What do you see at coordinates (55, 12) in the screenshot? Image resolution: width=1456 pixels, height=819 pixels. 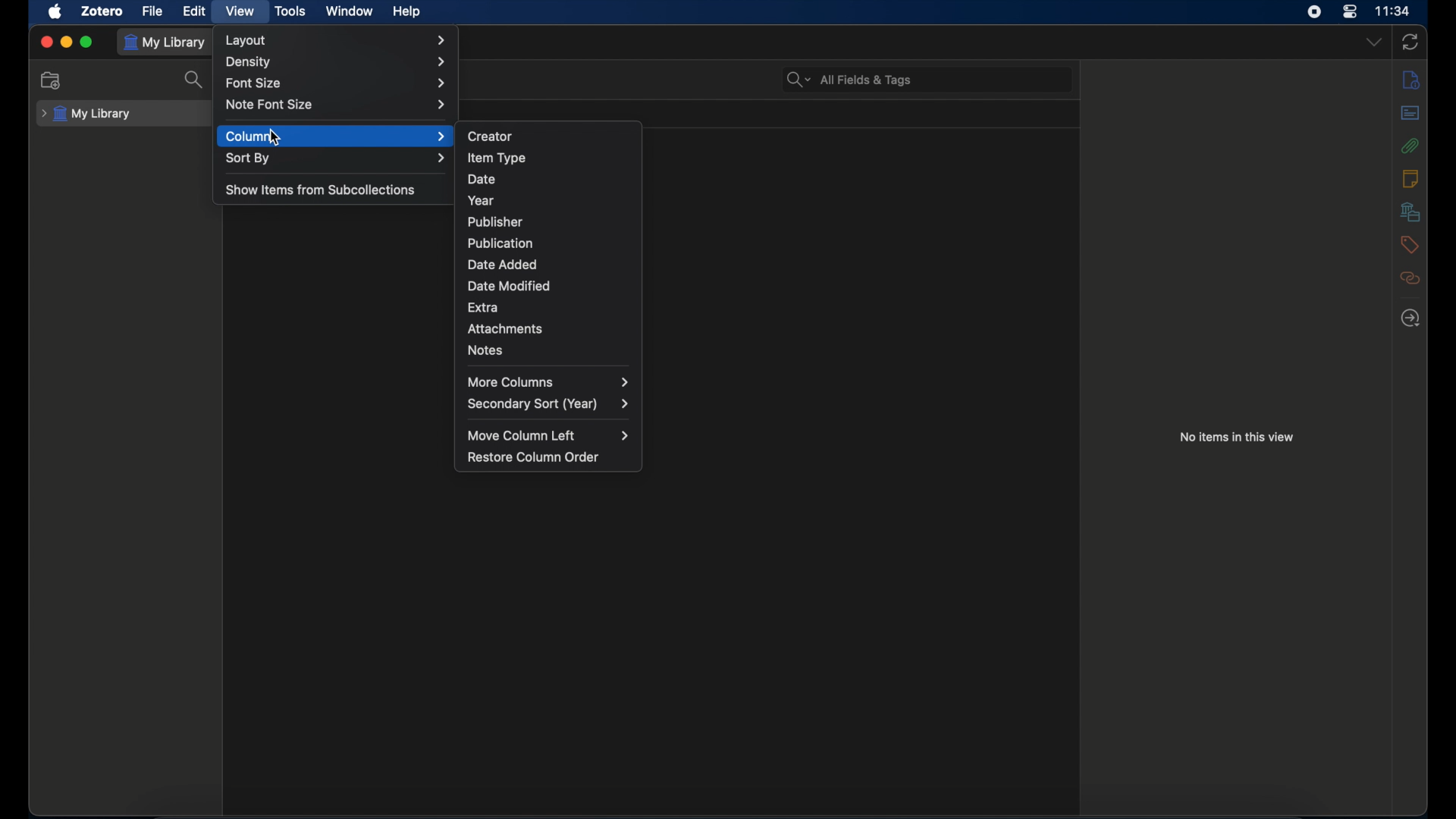 I see `apple` at bounding box center [55, 12].